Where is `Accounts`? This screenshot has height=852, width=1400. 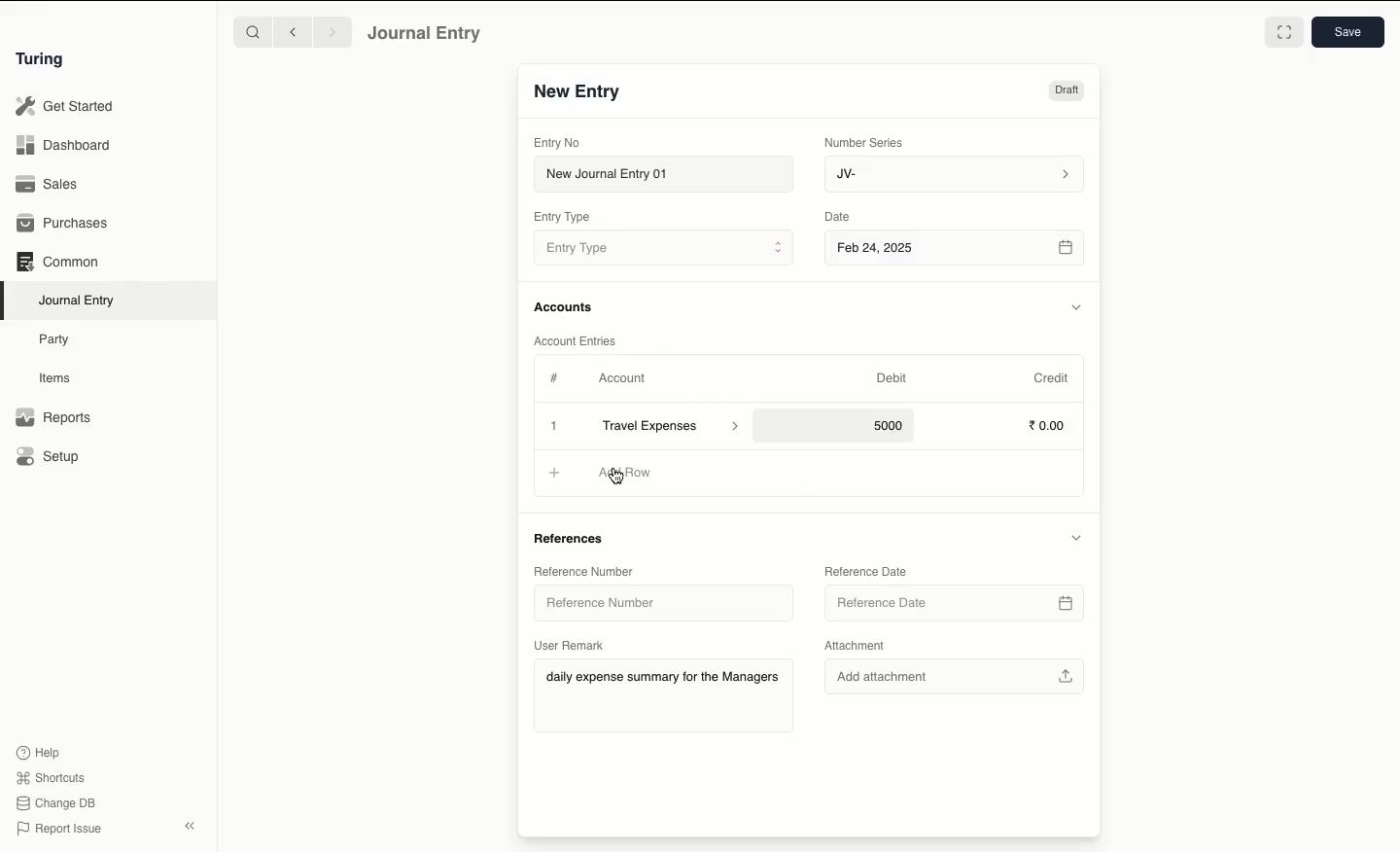 Accounts is located at coordinates (565, 307).